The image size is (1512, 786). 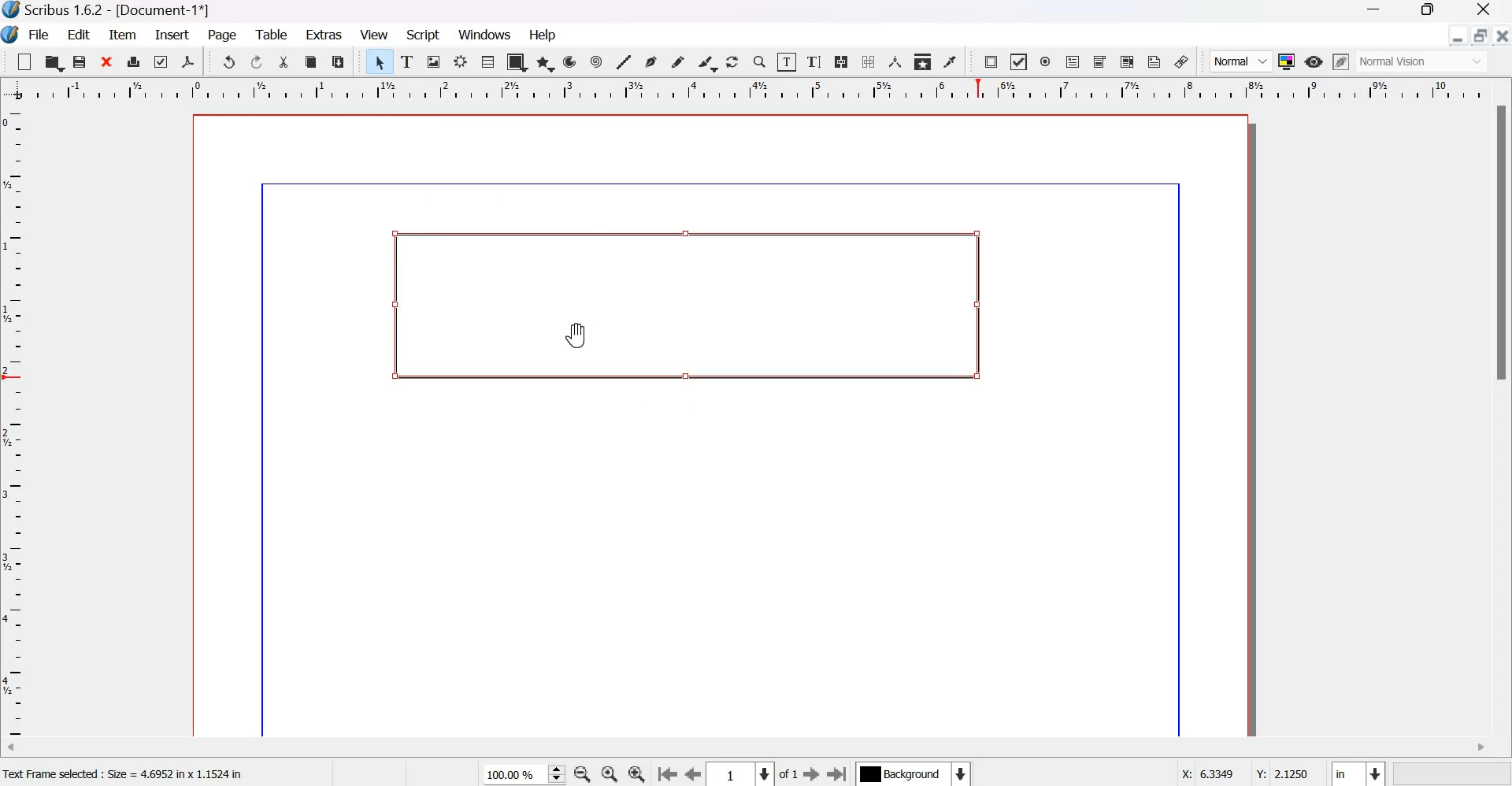 What do you see at coordinates (1154, 61) in the screenshot?
I see `Text Annotation` at bounding box center [1154, 61].